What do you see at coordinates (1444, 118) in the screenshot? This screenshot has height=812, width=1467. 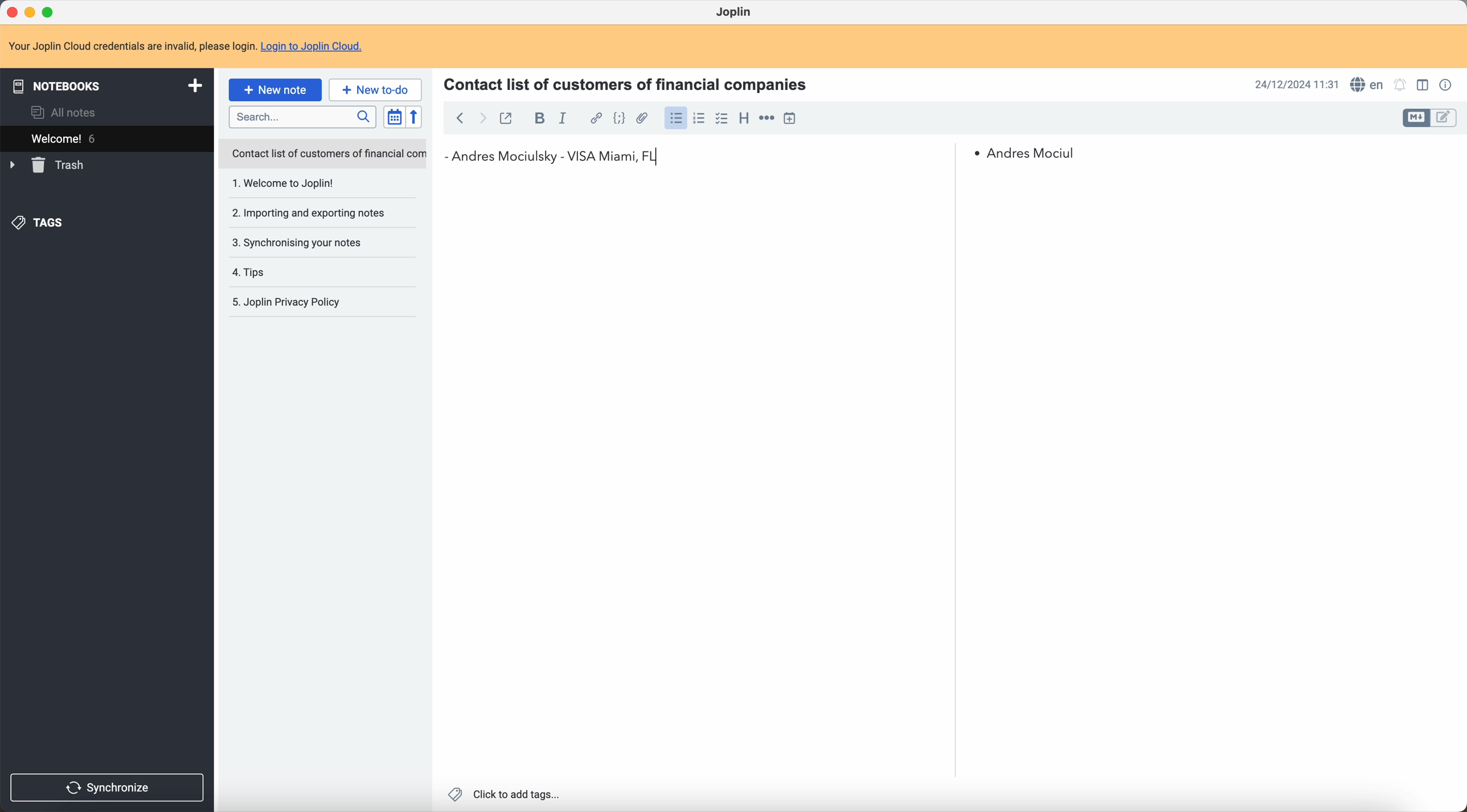 I see `toggle edit layout` at bounding box center [1444, 118].